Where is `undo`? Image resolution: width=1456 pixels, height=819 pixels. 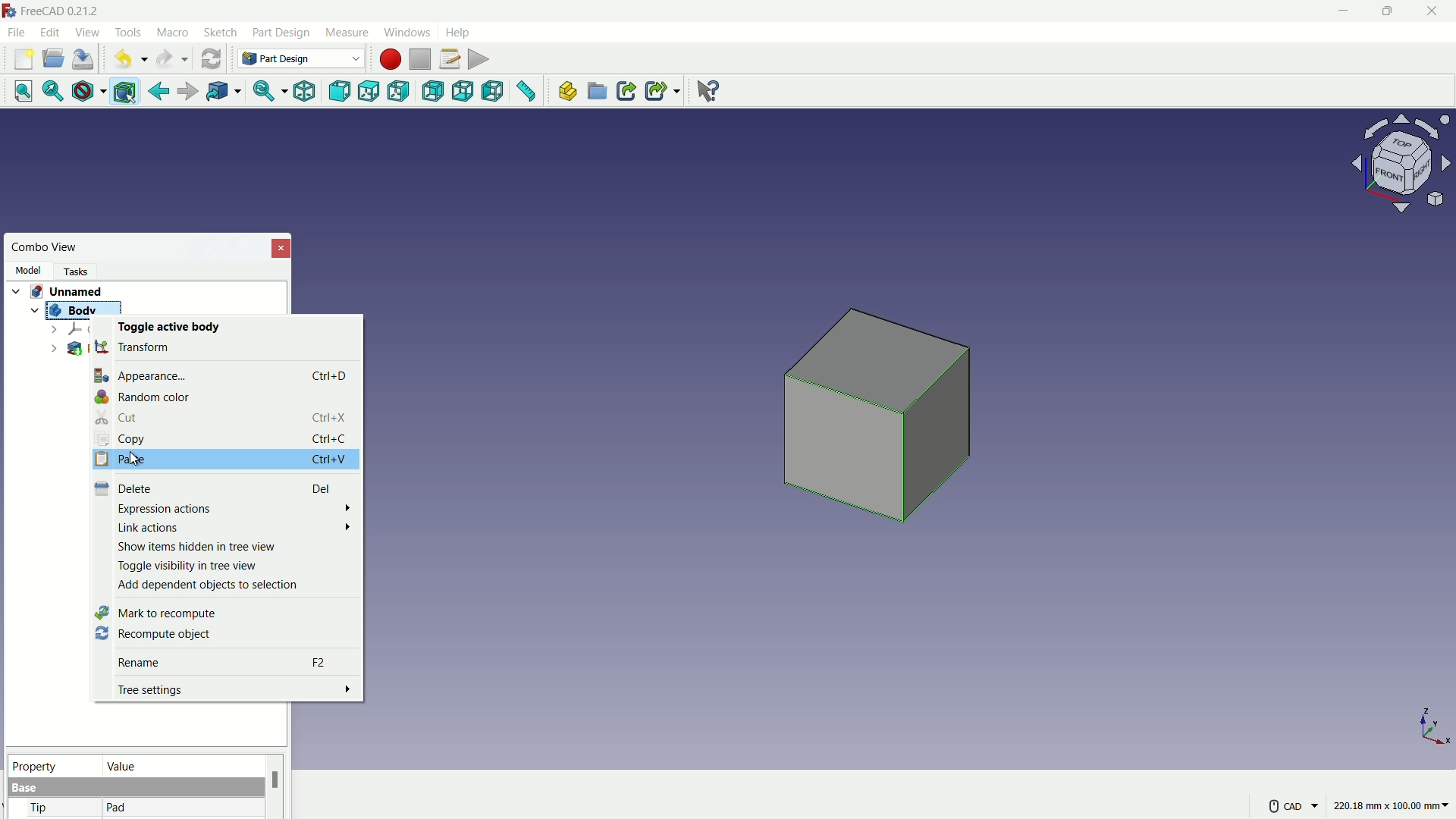 undo is located at coordinates (127, 60).